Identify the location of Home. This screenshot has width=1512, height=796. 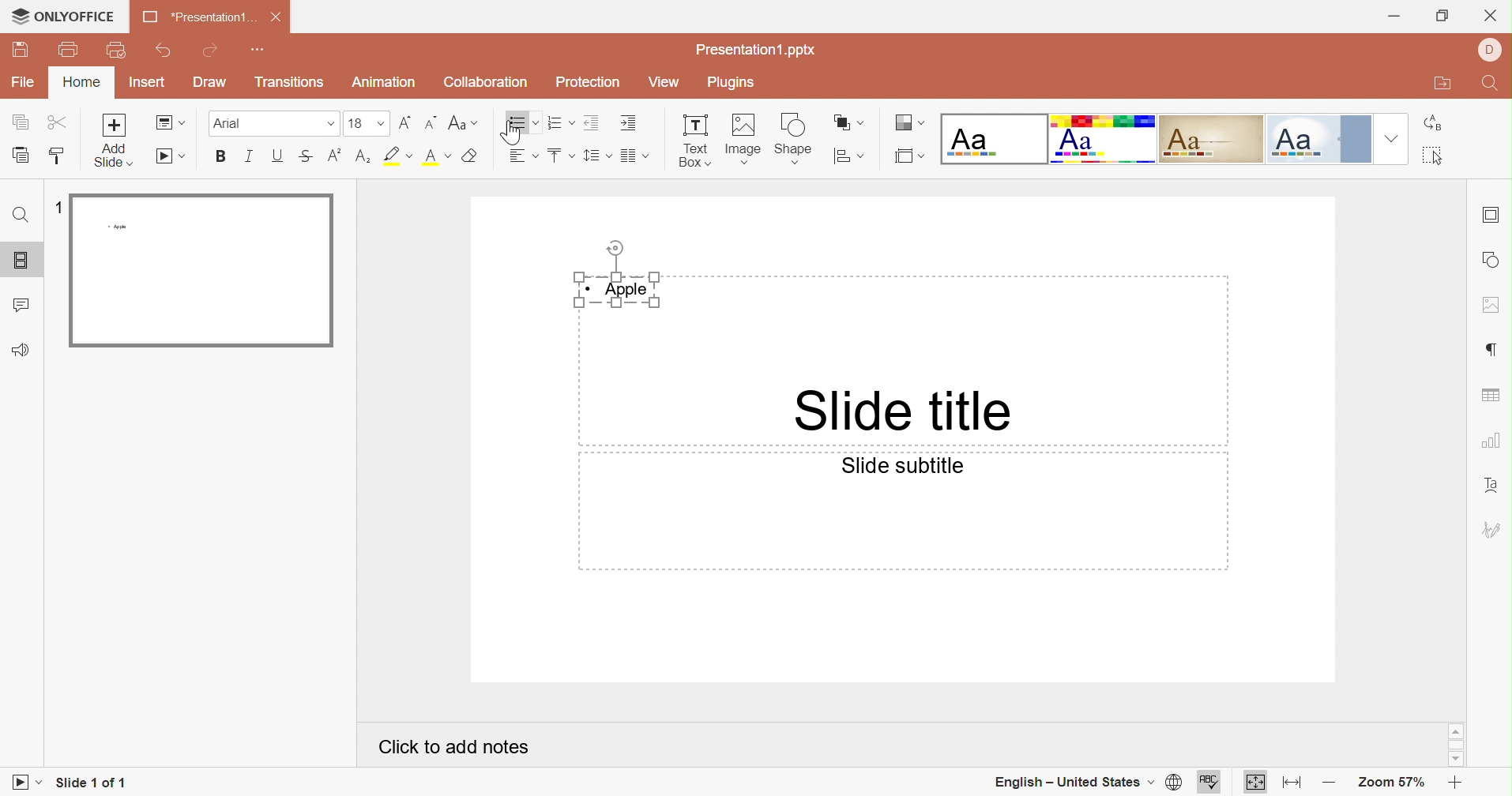
(81, 84).